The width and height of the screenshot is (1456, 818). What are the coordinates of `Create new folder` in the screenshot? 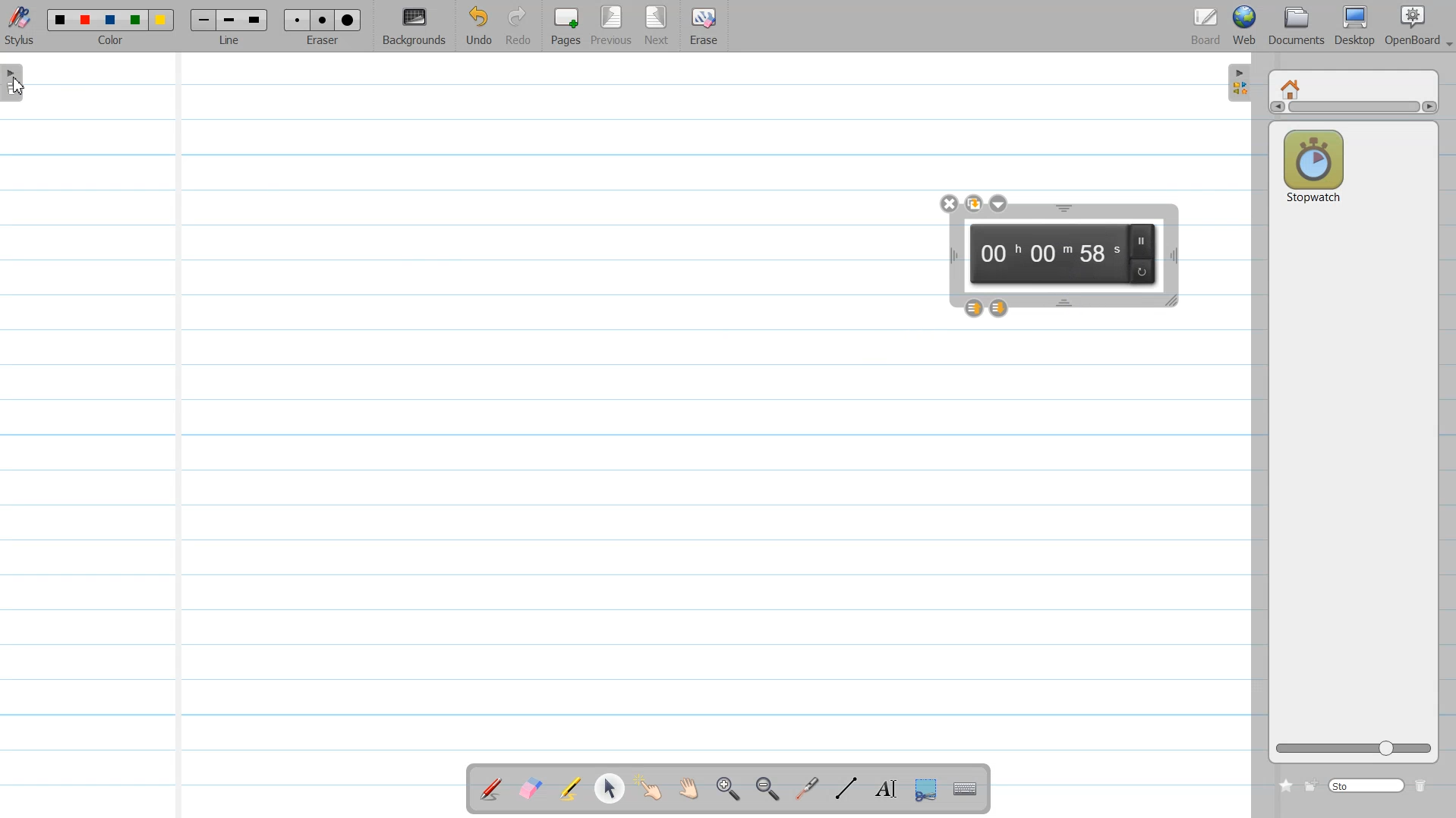 It's located at (1312, 785).